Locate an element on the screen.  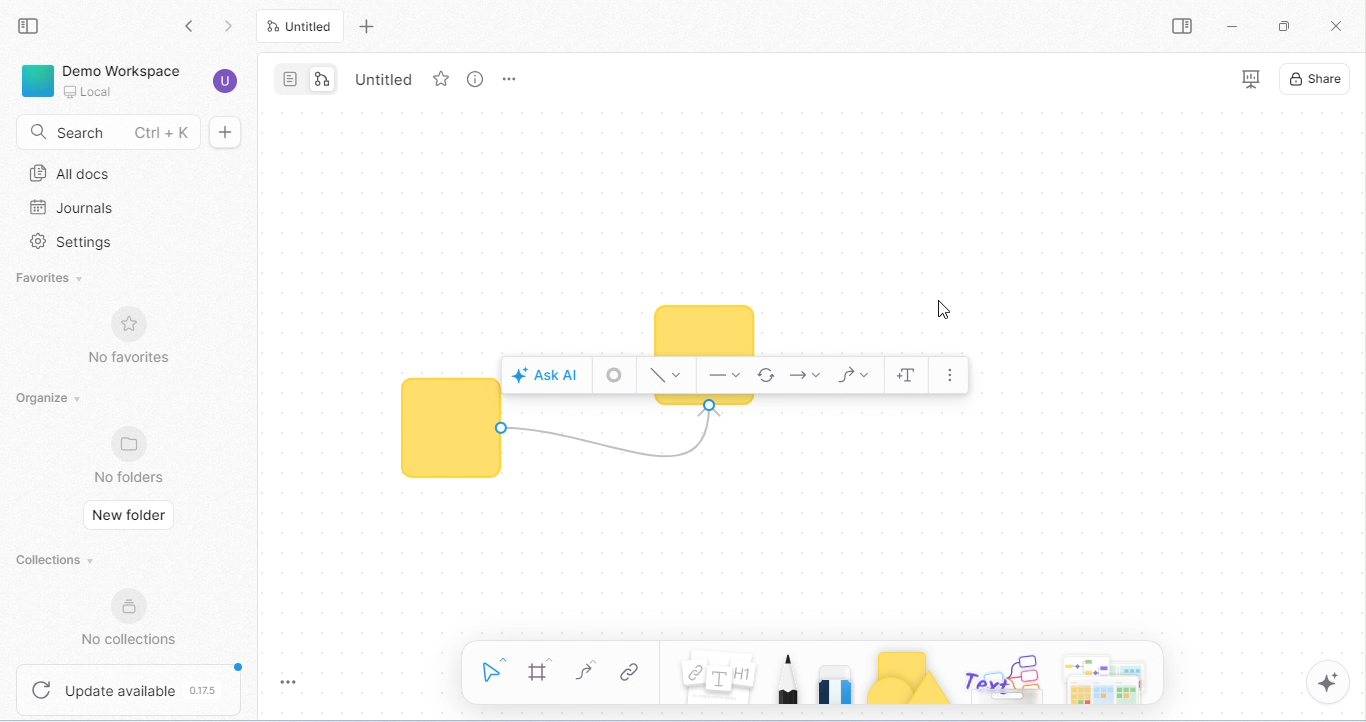
collections is located at coordinates (59, 561).